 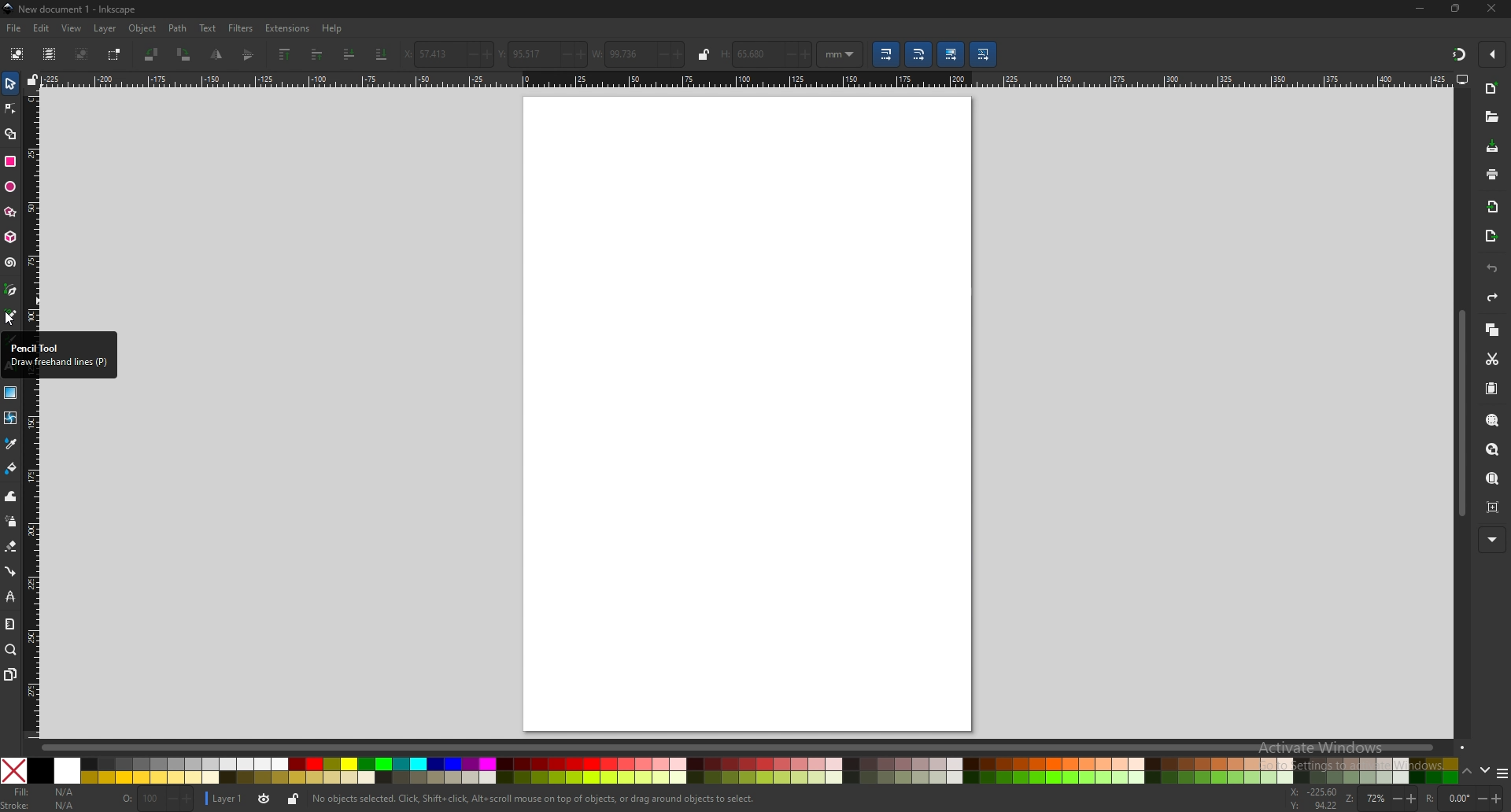 I want to click on flip vertically, so click(x=217, y=54).